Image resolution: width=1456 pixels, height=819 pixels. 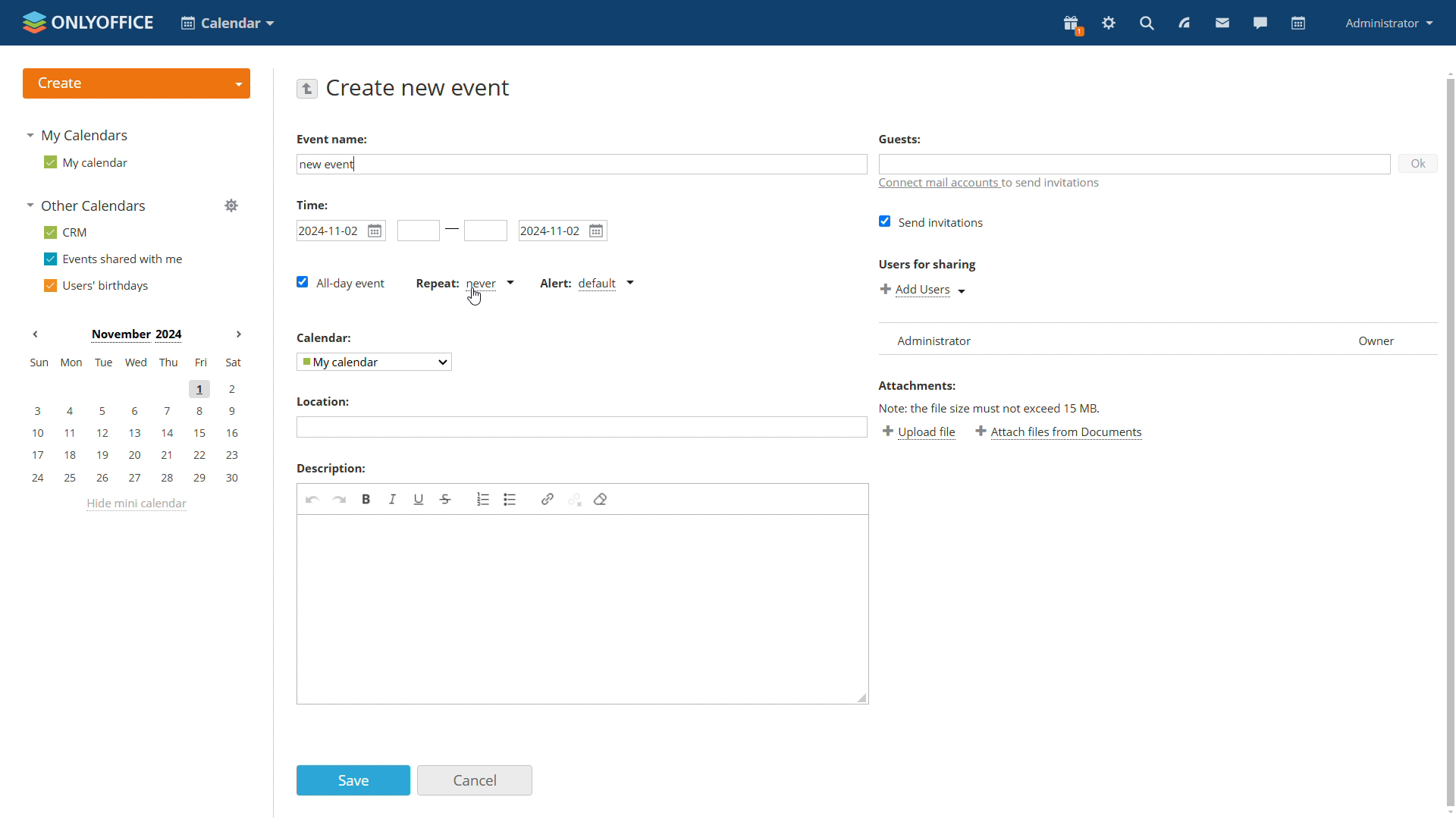 What do you see at coordinates (1148, 23) in the screenshot?
I see `search` at bounding box center [1148, 23].